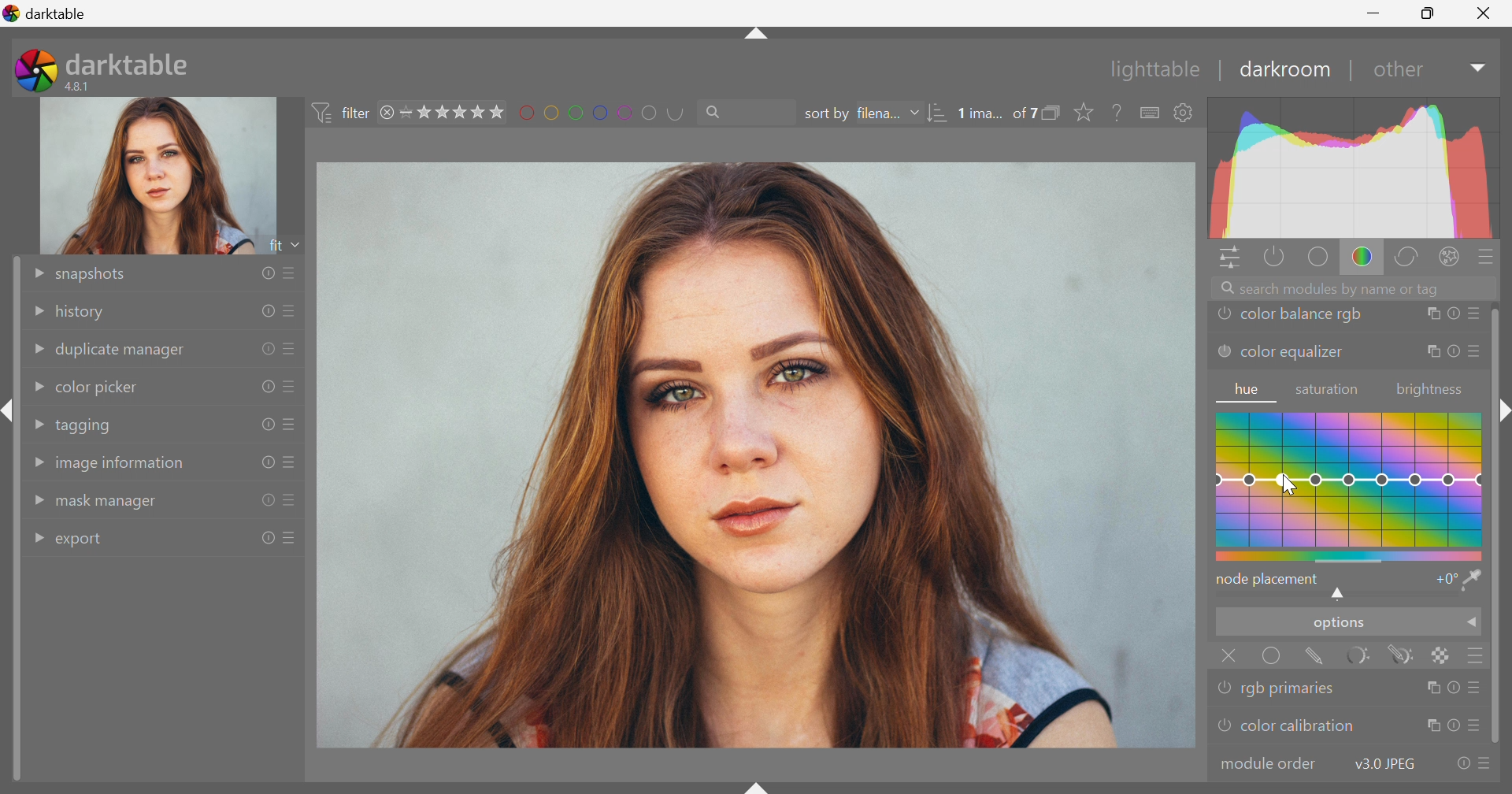 This screenshot has height=794, width=1512. Describe the element at coordinates (1458, 765) in the screenshot. I see `reset` at that location.